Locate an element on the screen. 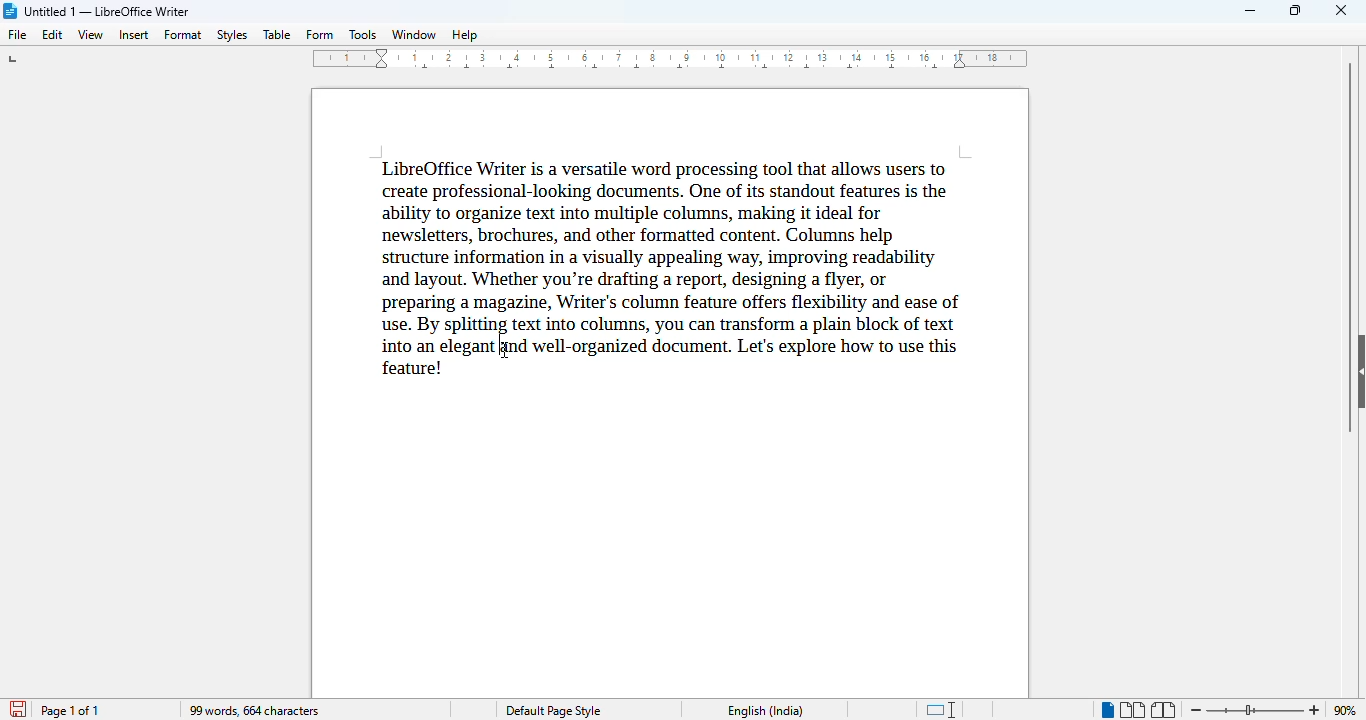 This screenshot has height=720, width=1366. help is located at coordinates (465, 35).